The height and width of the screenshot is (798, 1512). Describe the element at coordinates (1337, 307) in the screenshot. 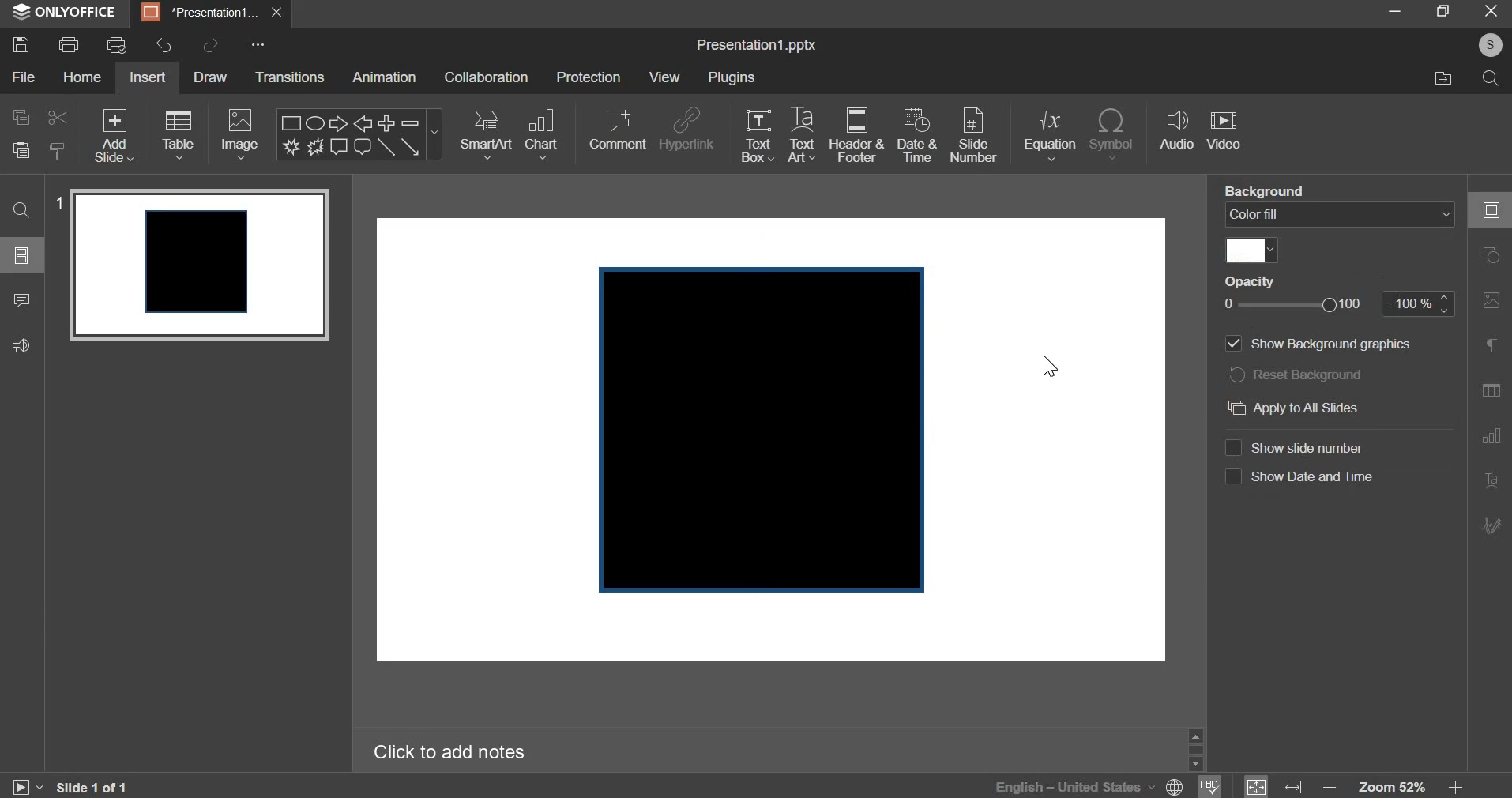

I see `opacity` at that location.